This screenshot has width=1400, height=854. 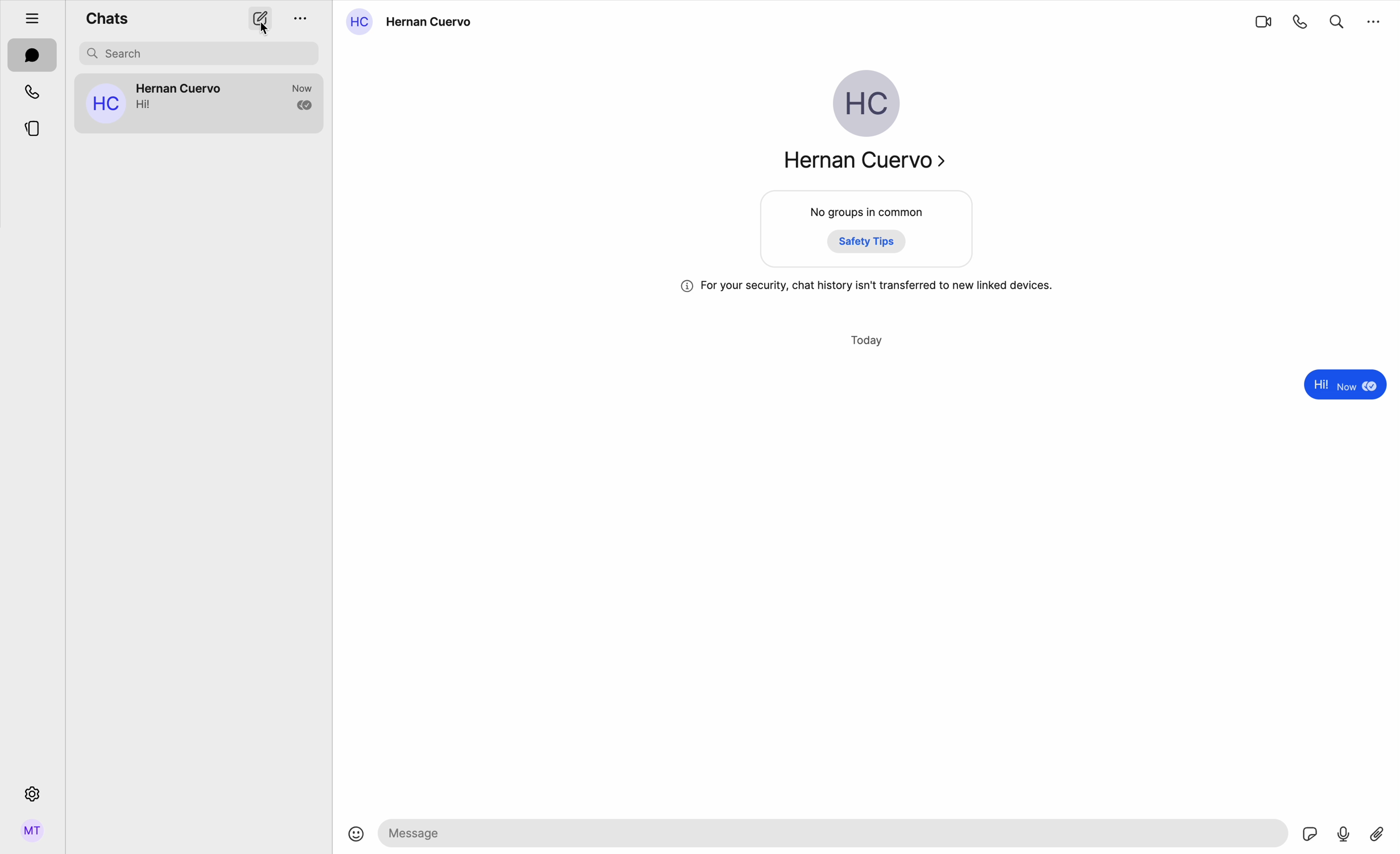 I want to click on safety message, so click(x=867, y=287).